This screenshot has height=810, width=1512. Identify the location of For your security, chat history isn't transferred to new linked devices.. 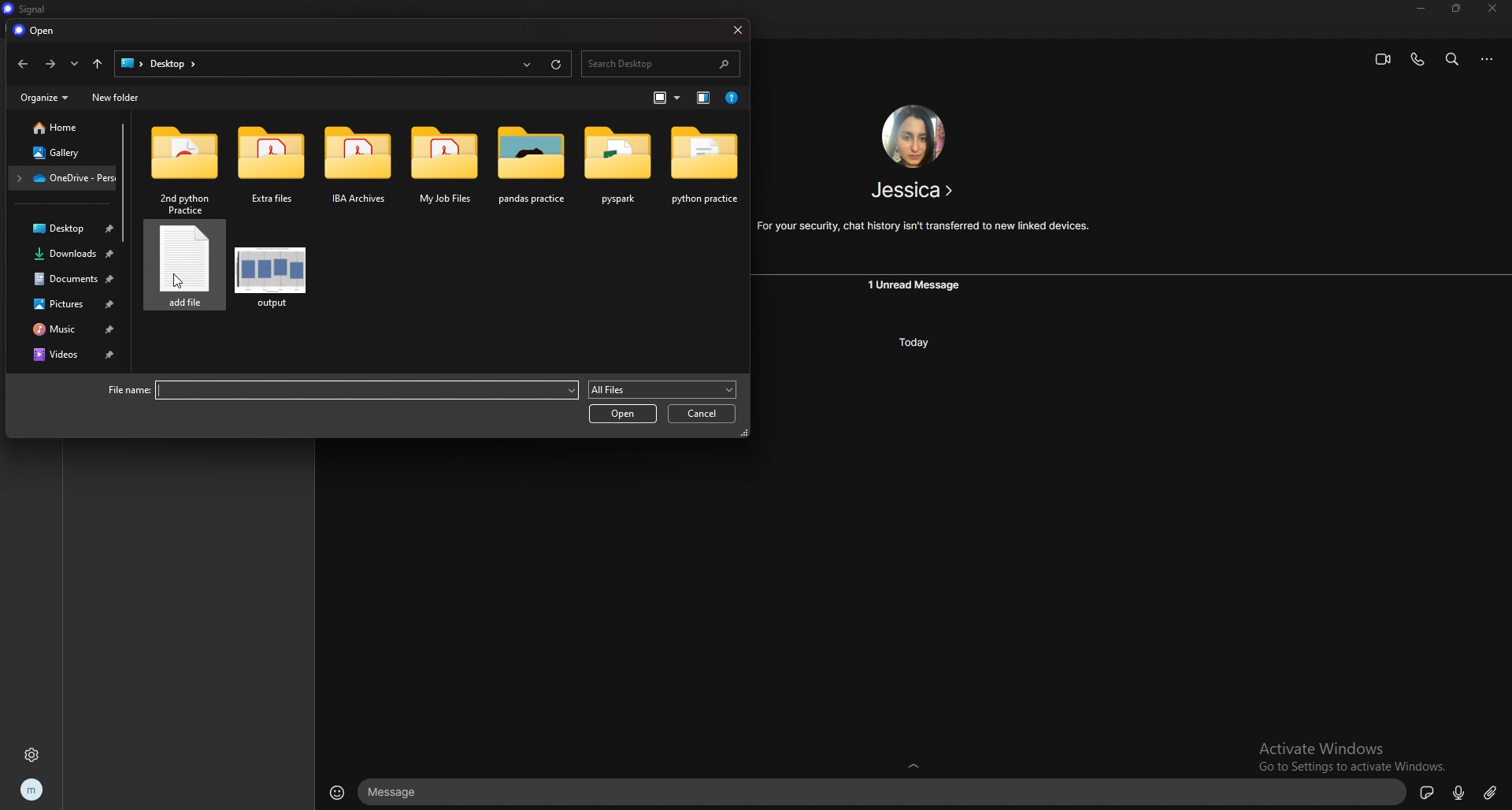
(924, 226).